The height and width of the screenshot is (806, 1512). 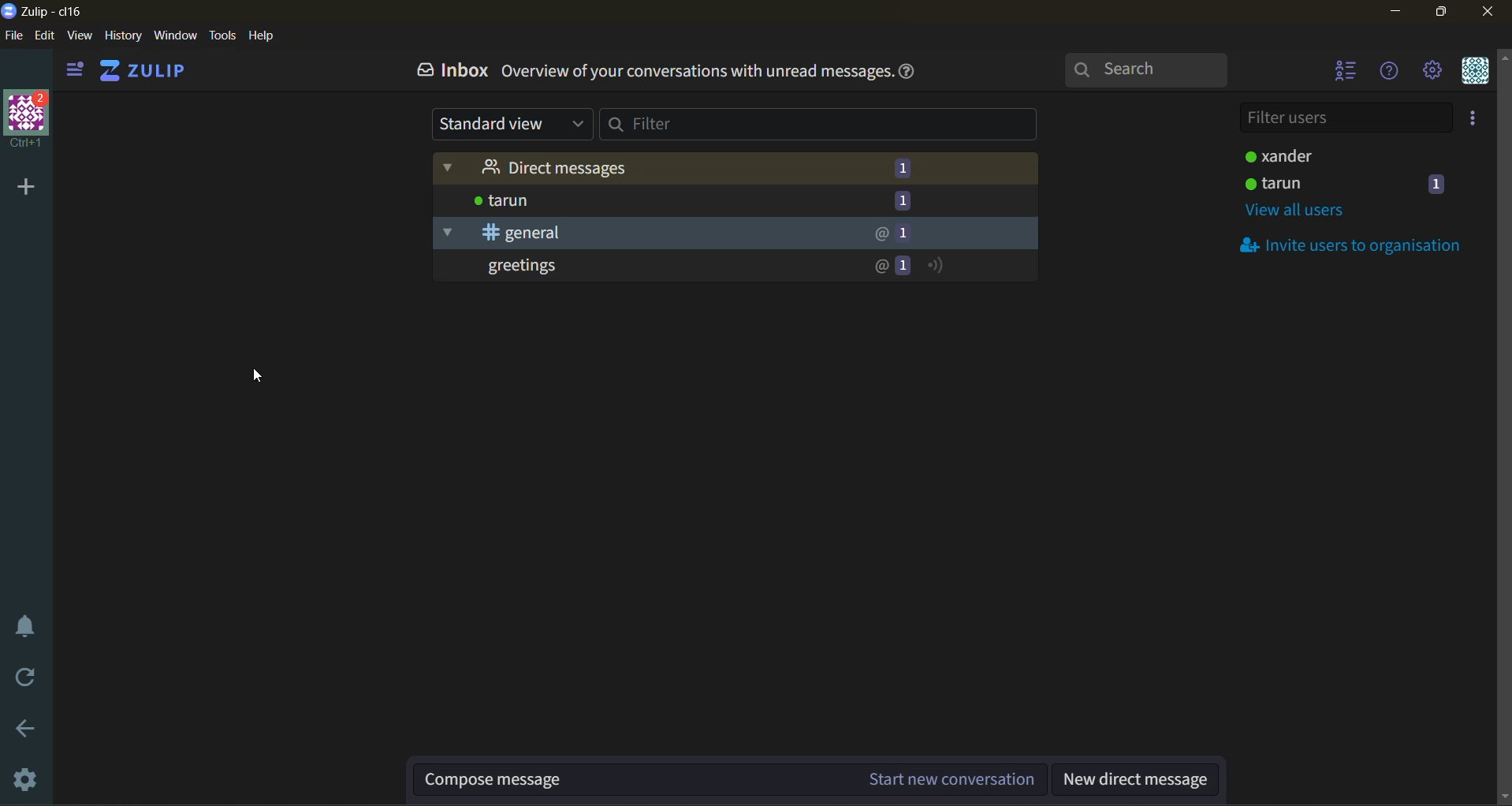 What do you see at coordinates (26, 627) in the screenshot?
I see `enable do not disturb` at bounding box center [26, 627].